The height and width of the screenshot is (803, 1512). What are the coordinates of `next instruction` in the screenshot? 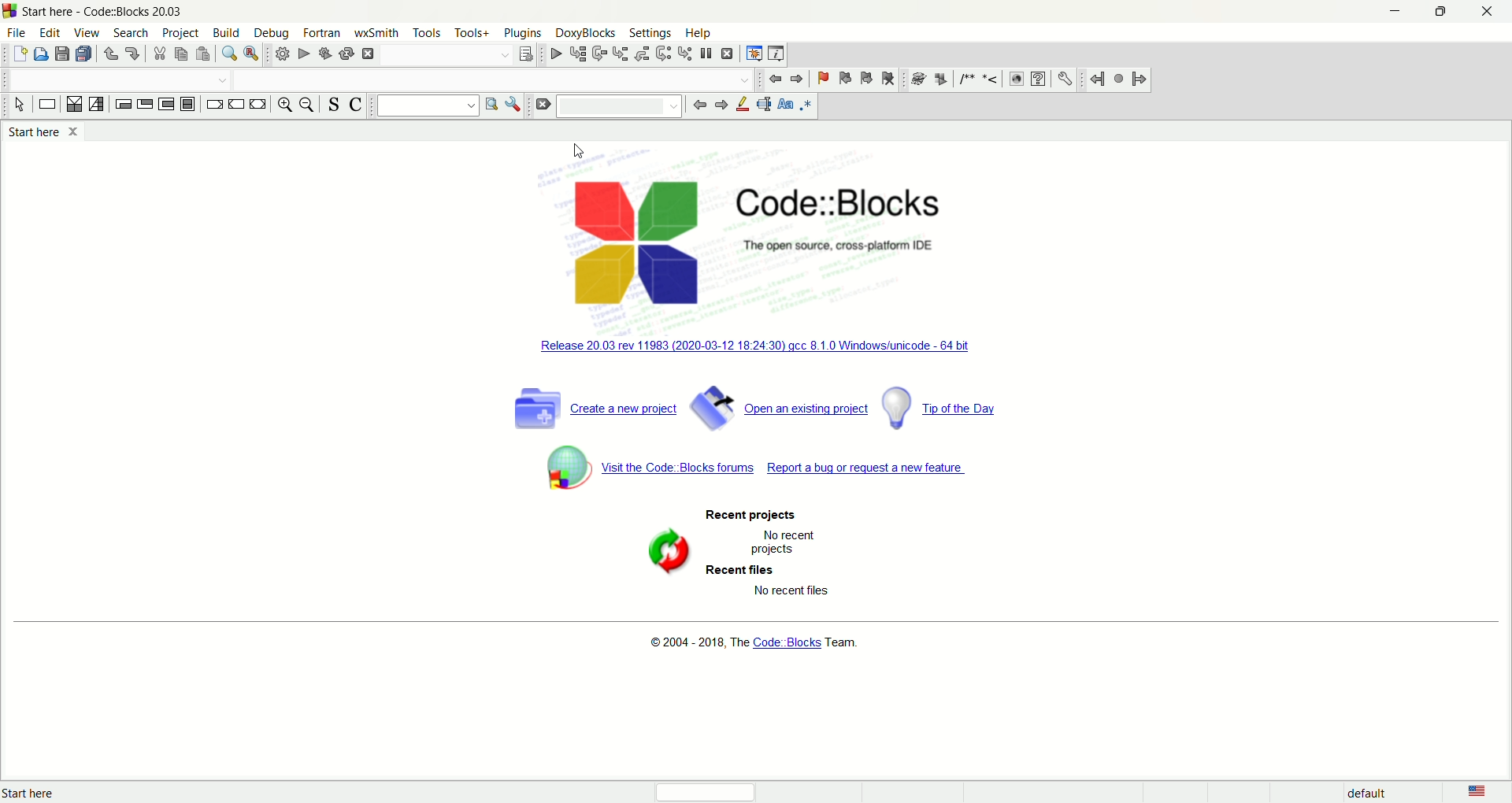 It's located at (663, 54).